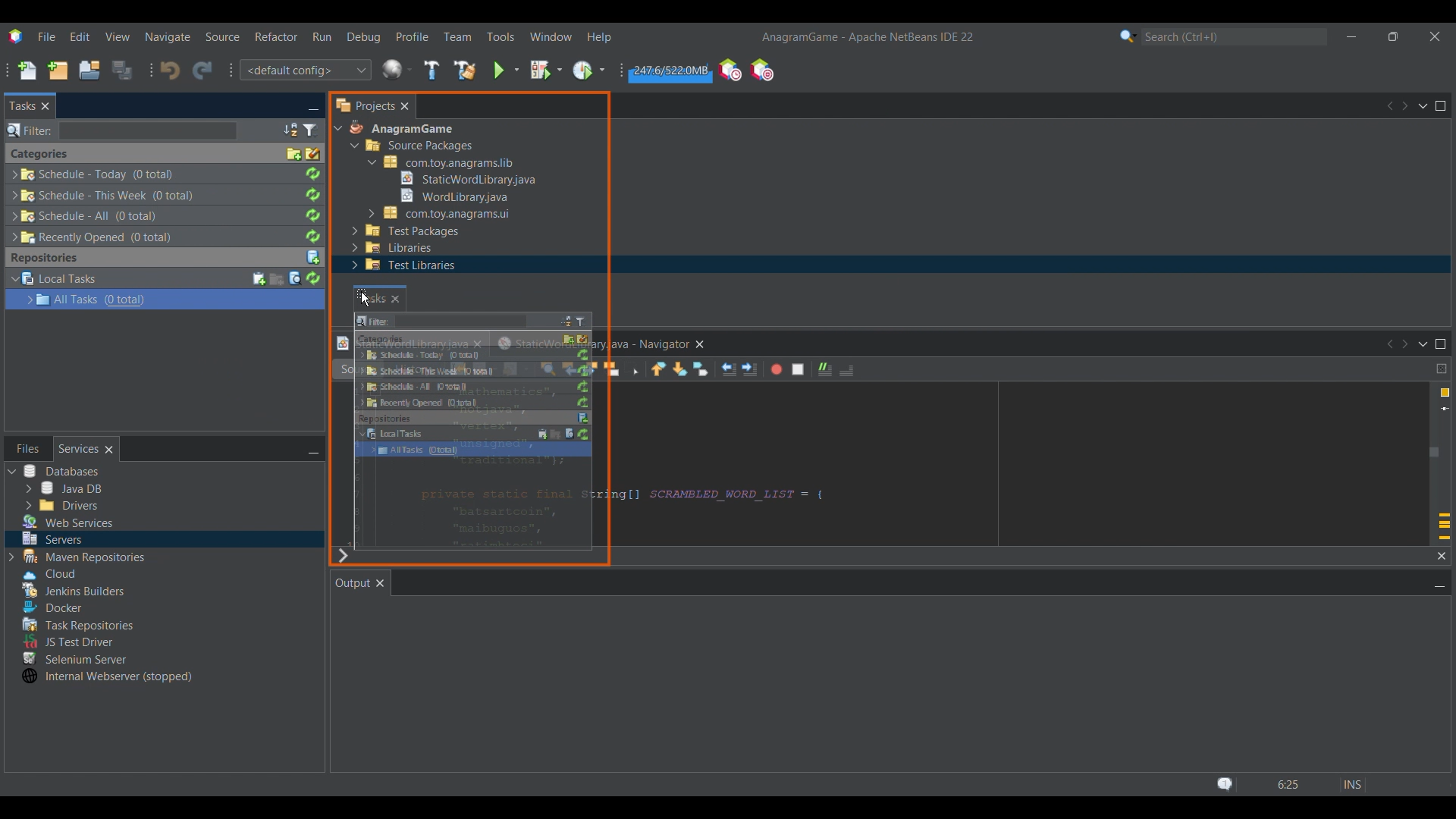 This screenshot has width=1456, height=819. What do you see at coordinates (406, 231) in the screenshot?
I see `` at bounding box center [406, 231].